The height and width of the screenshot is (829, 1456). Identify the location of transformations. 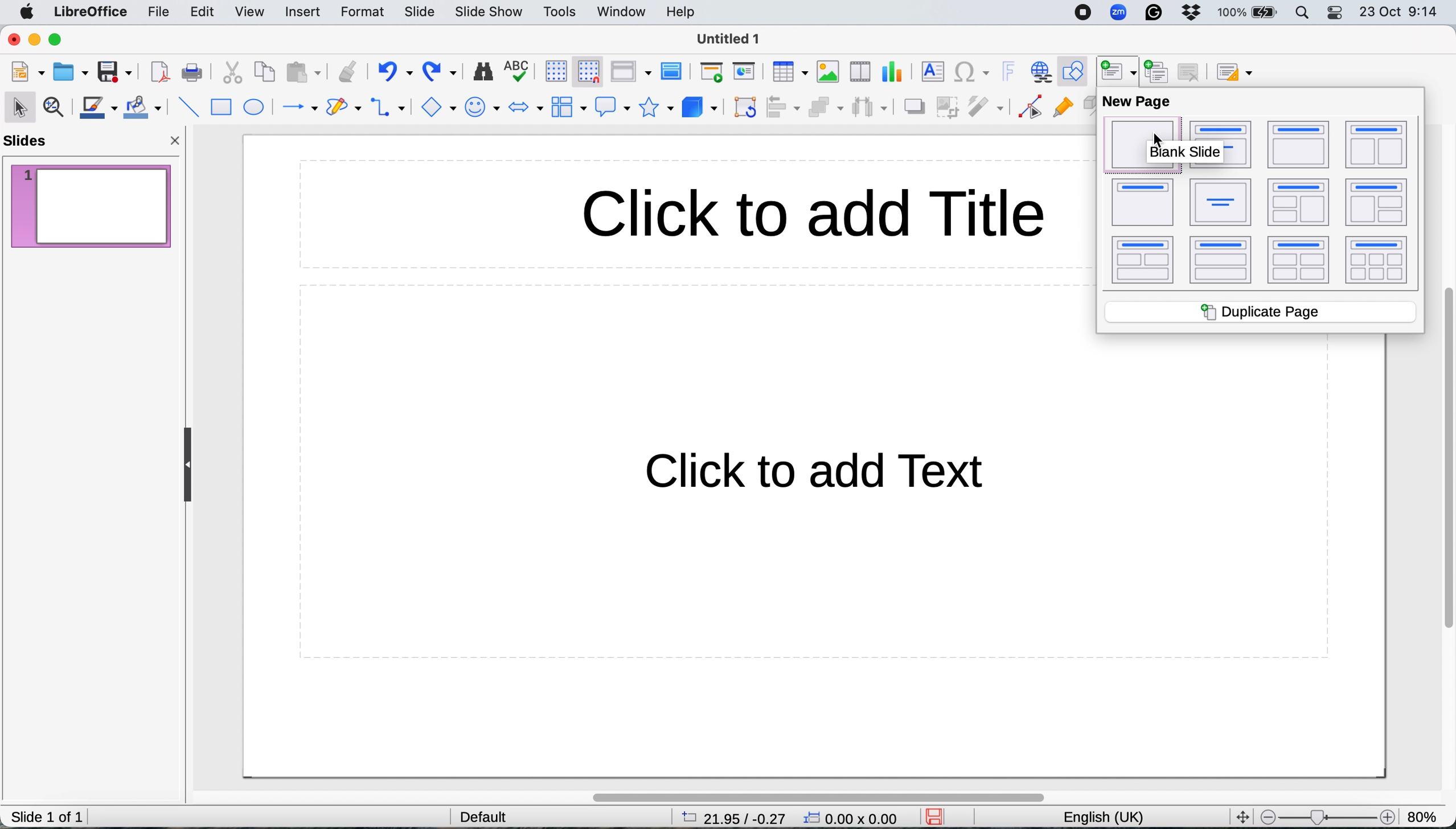
(745, 108).